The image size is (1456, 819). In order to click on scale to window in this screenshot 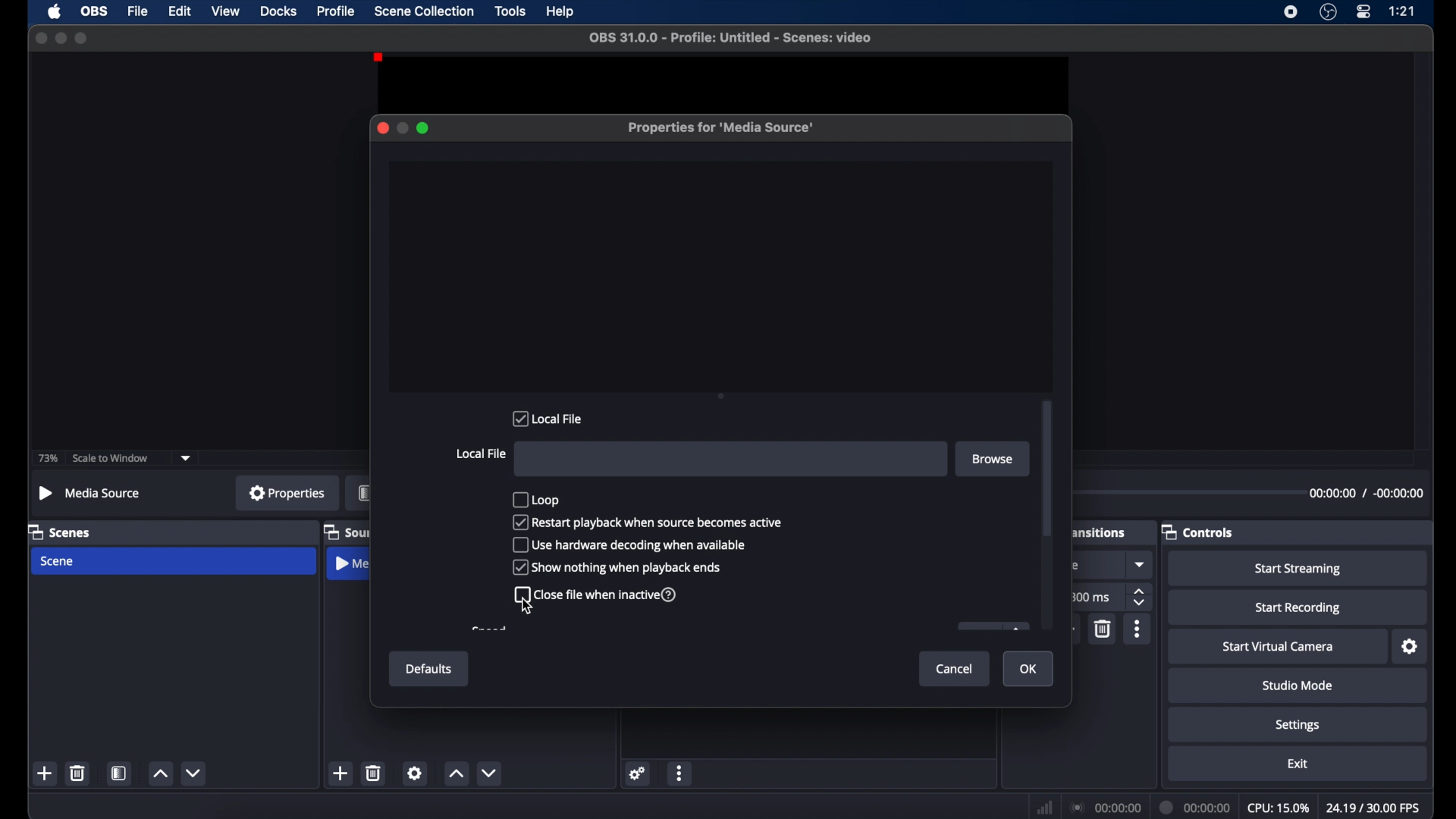, I will do `click(110, 458)`.